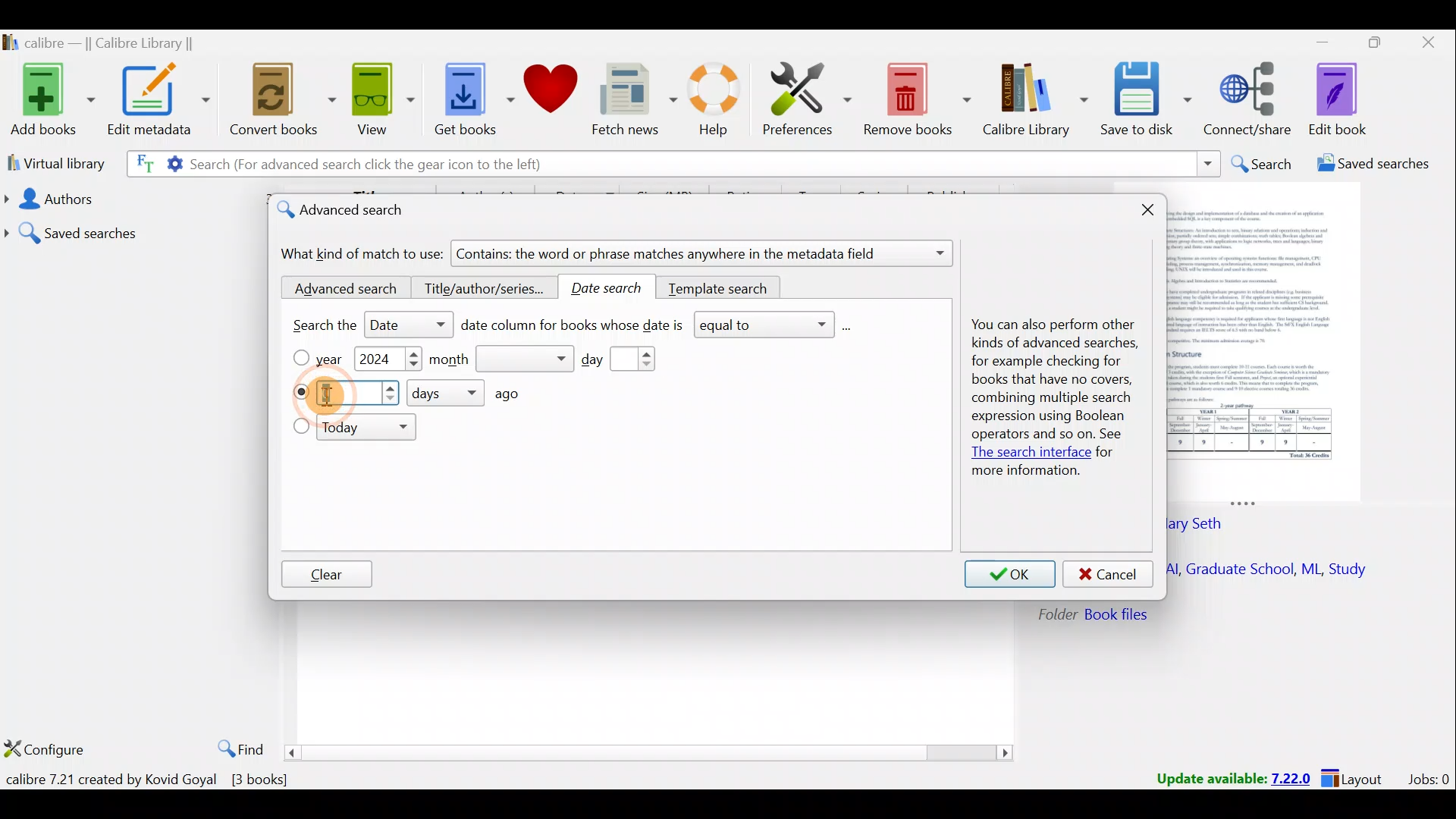 The width and height of the screenshot is (1456, 819). What do you see at coordinates (477, 393) in the screenshot?
I see `How many days ago?` at bounding box center [477, 393].